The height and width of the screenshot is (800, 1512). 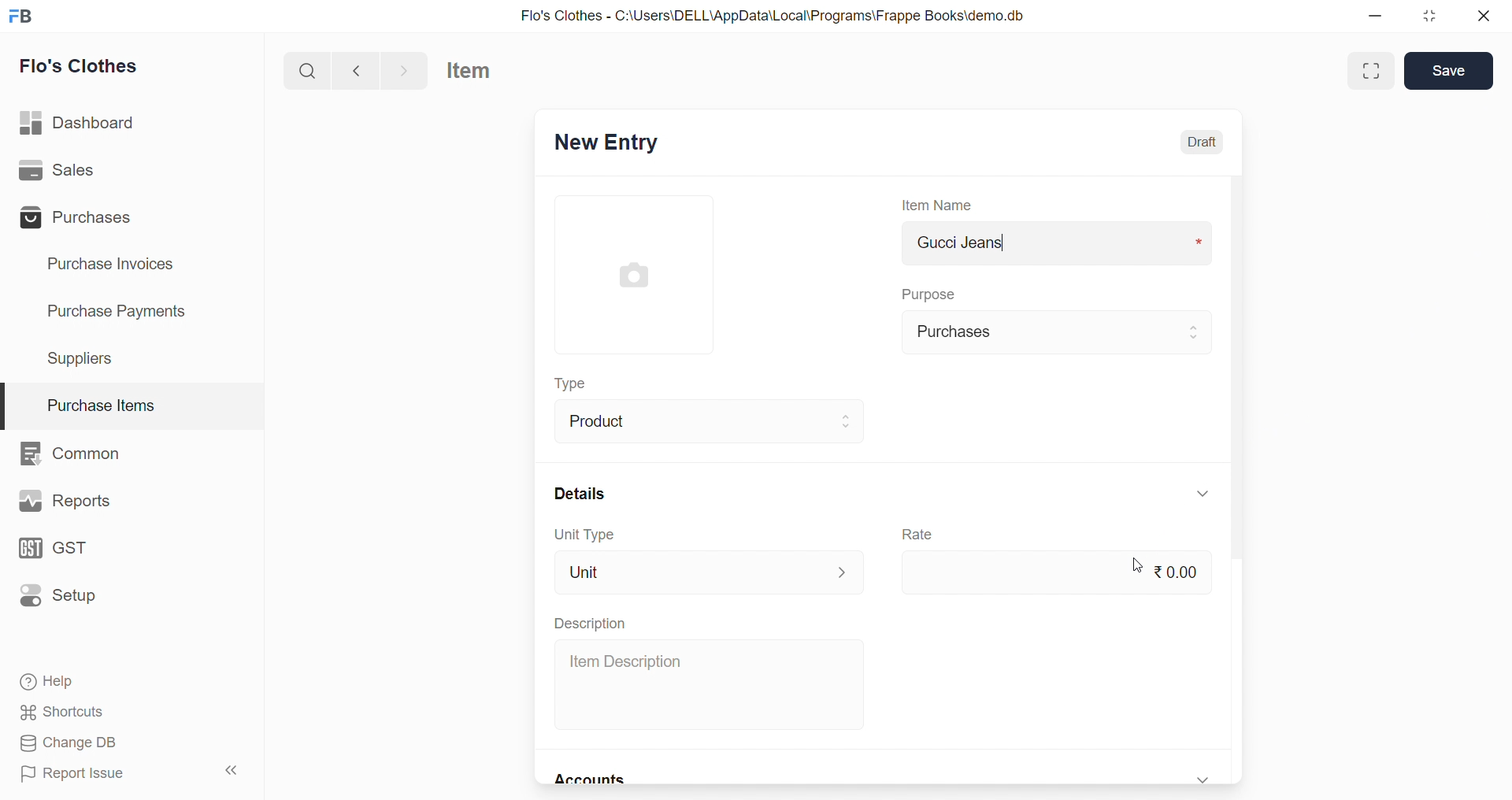 What do you see at coordinates (583, 535) in the screenshot?
I see `Unit Type` at bounding box center [583, 535].